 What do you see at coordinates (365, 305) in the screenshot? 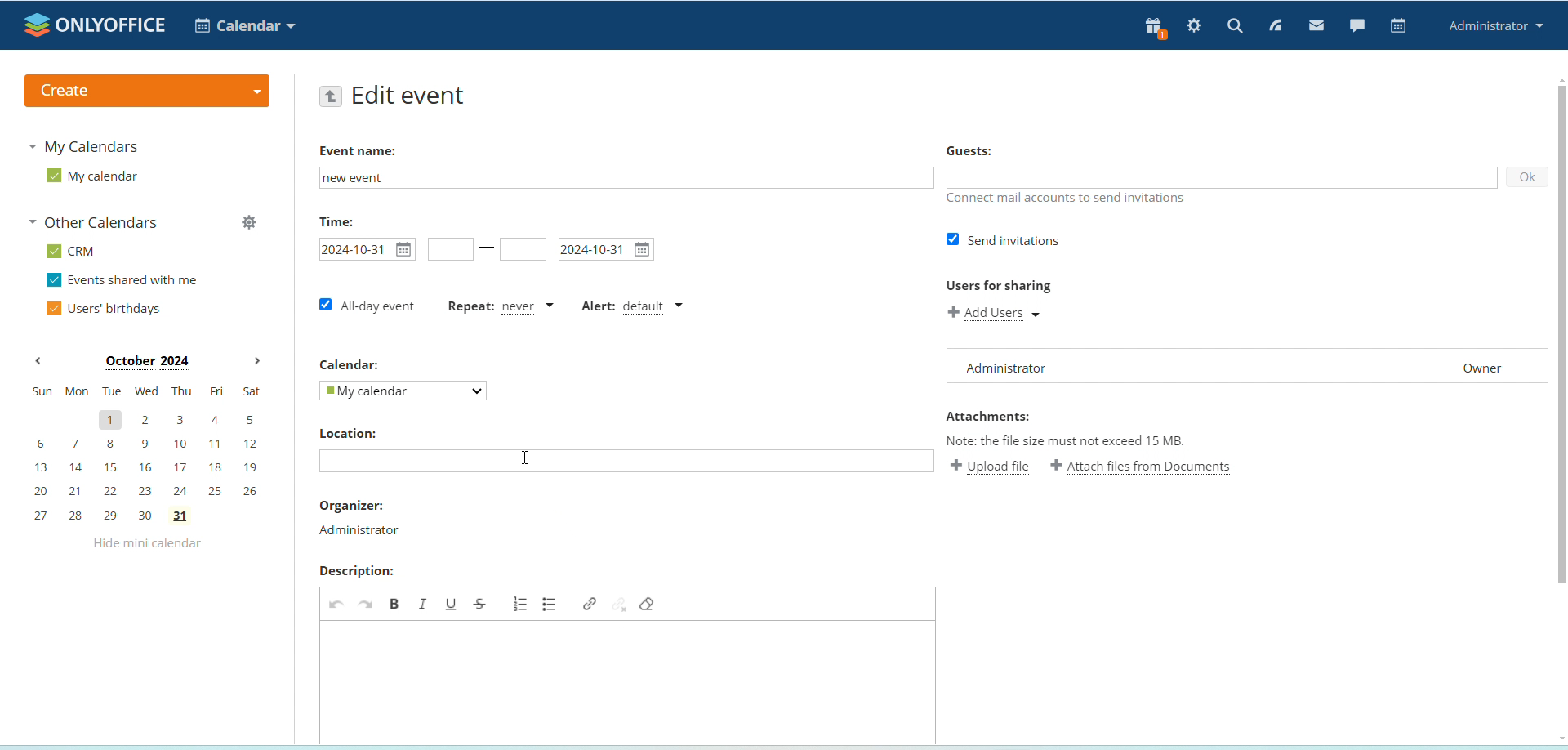
I see `all day event checkbox` at bounding box center [365, 305].